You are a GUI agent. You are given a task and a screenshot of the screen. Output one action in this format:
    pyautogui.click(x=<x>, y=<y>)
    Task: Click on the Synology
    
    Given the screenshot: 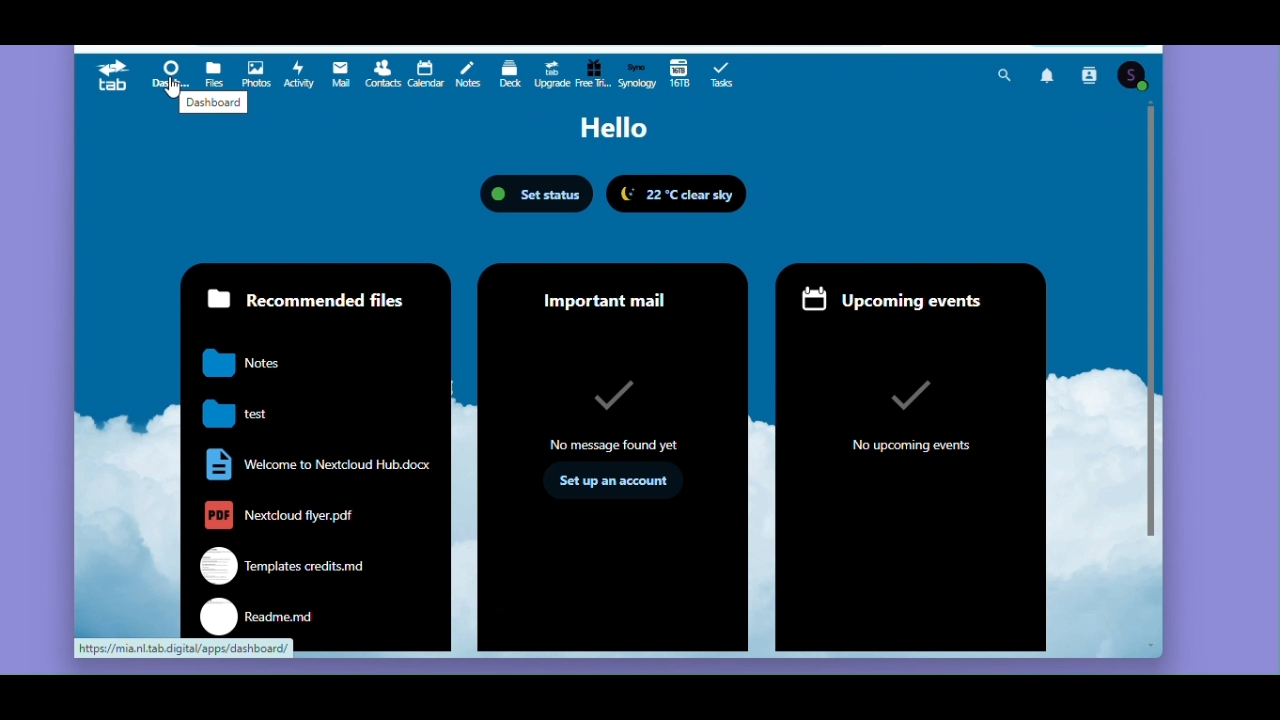 What is the action you would take?
    pyautogui.click(x=637, y=74)
    